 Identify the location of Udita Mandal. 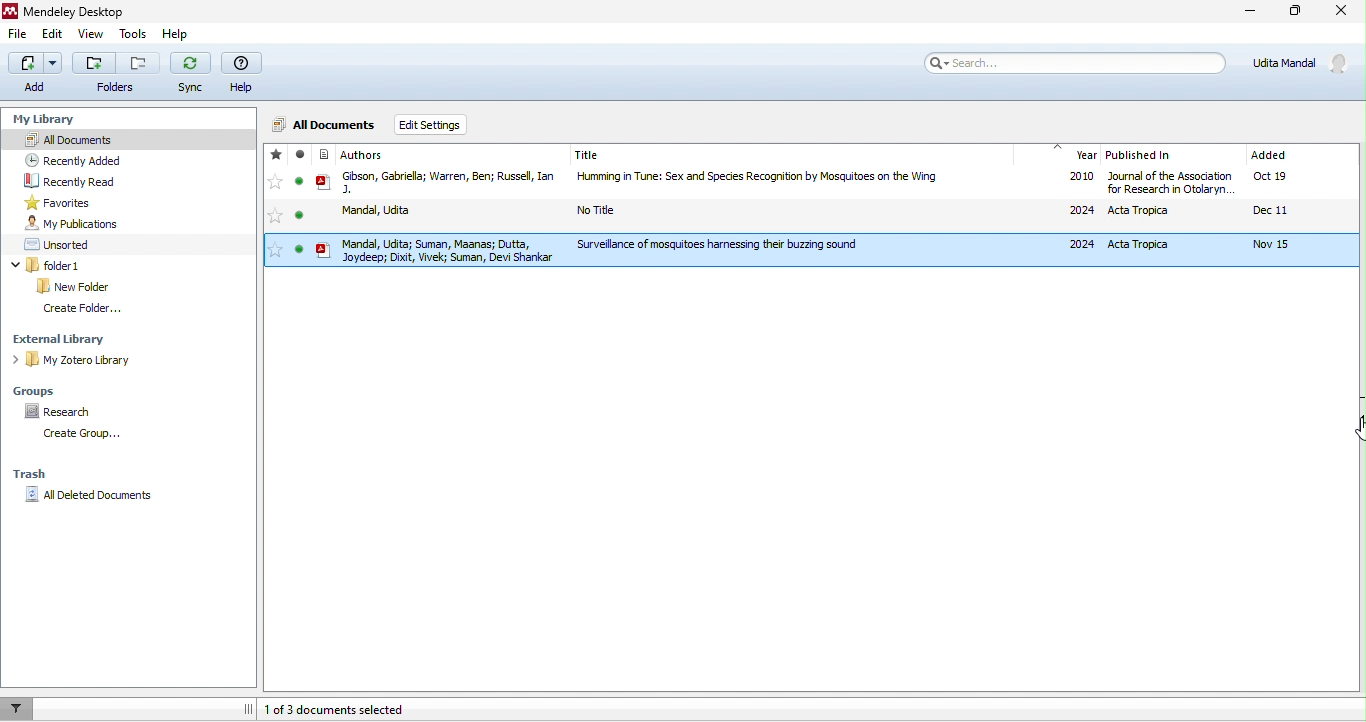
(1296, 63).